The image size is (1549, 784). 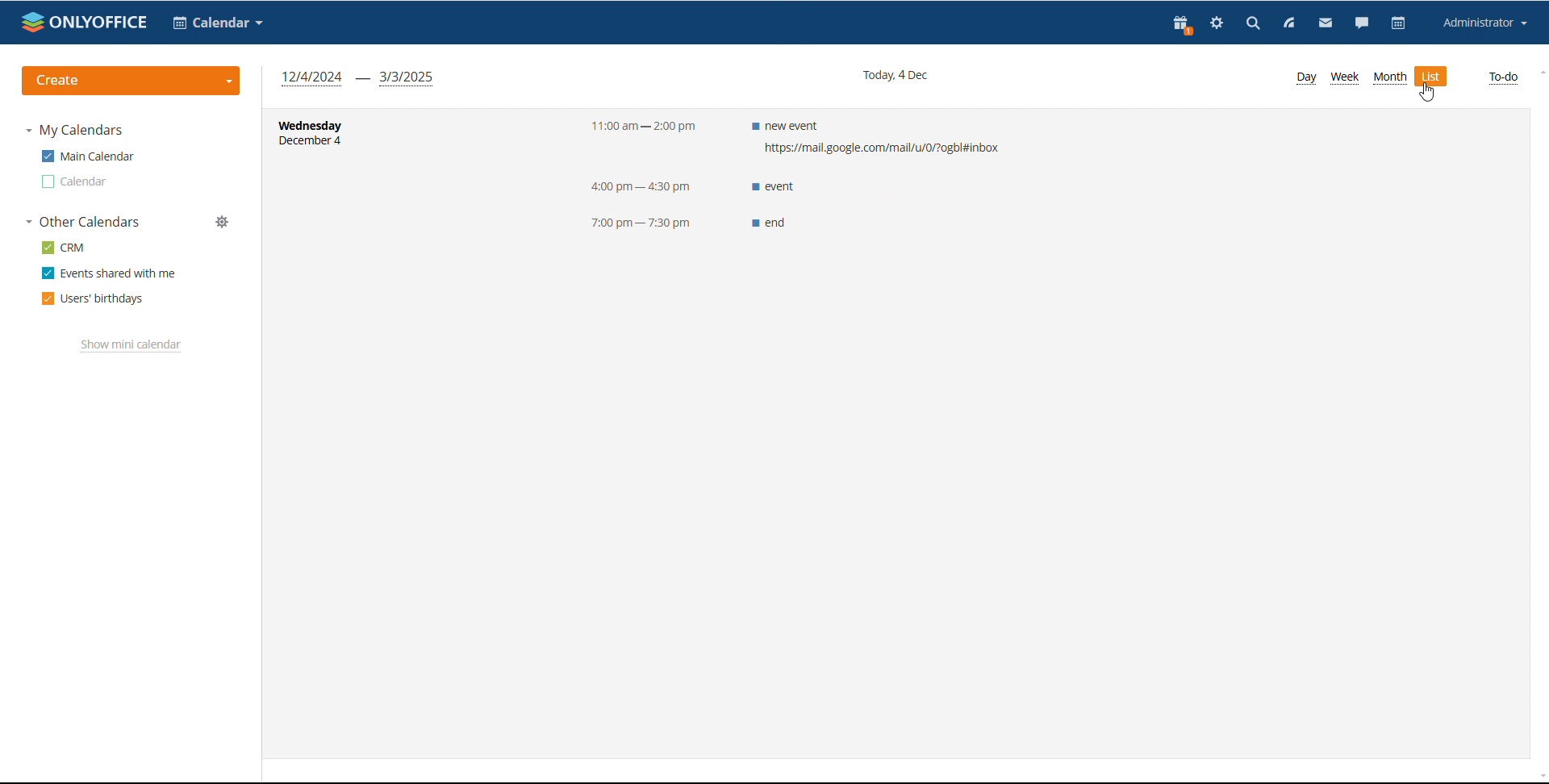 What do you see at coordinates (85, 21) in the screenshot?
I see `logo` at bounding box center [85, 21].